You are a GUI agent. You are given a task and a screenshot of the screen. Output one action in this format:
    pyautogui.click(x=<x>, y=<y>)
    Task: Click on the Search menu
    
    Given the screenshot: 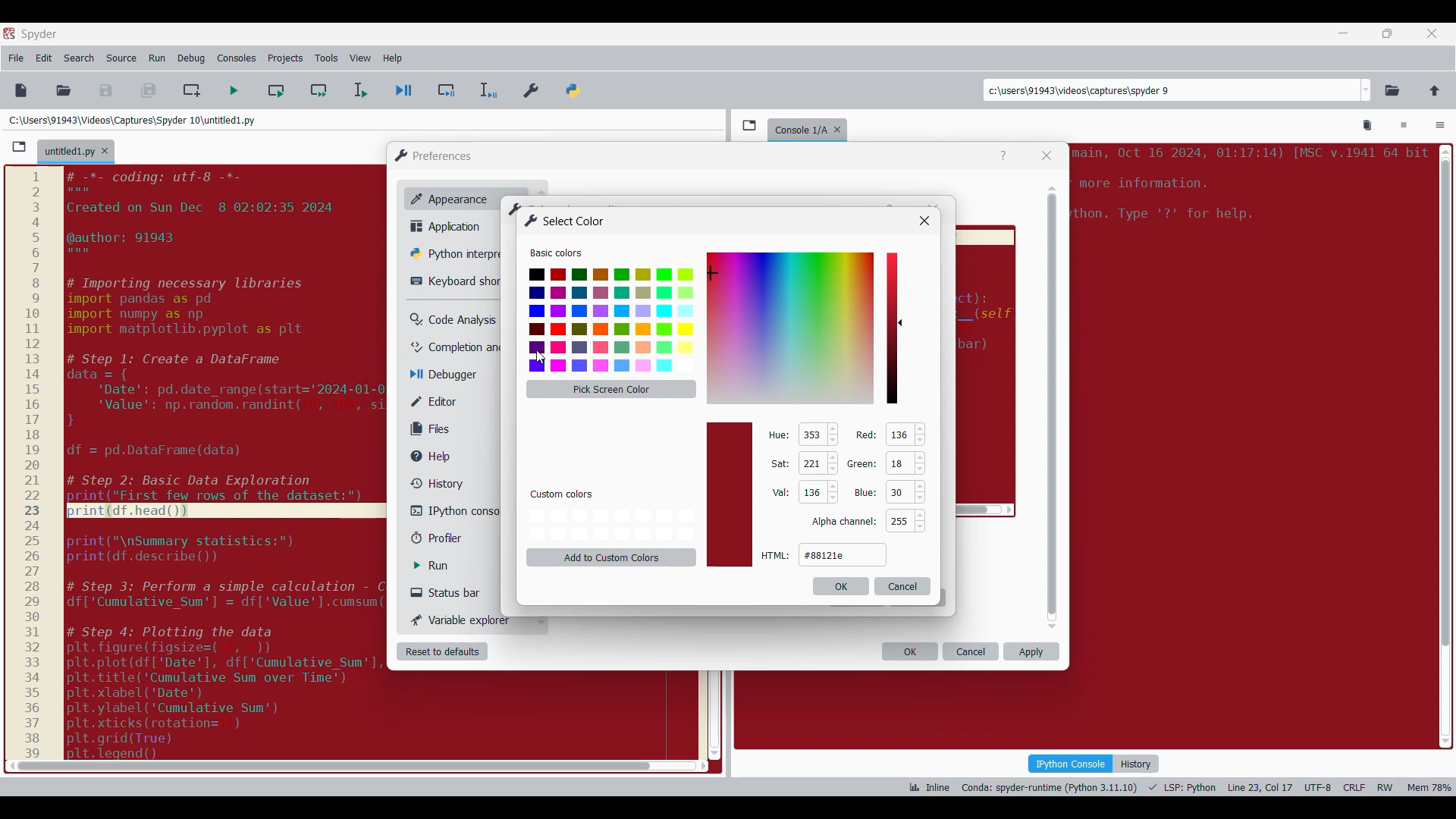 What is the action you would take?
    pyautogui.click(x=80, y=58)
    